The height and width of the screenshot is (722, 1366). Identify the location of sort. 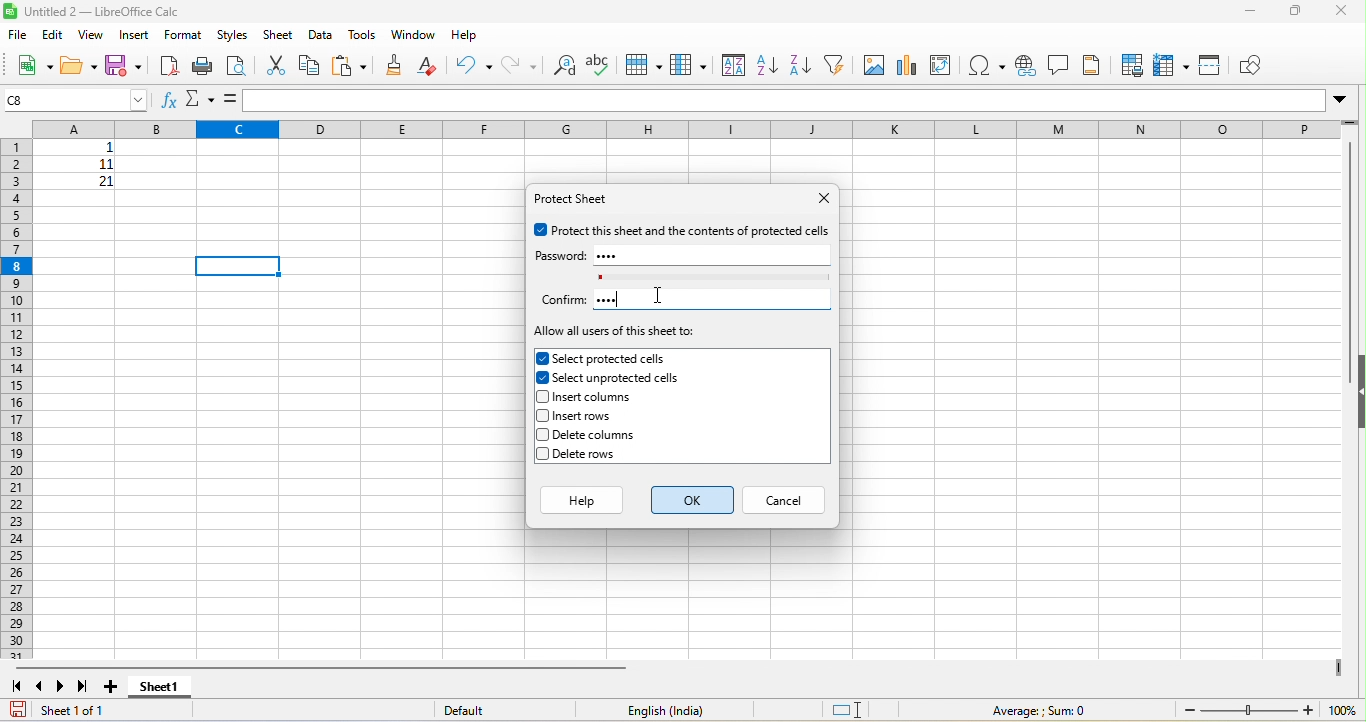
(733, 64).